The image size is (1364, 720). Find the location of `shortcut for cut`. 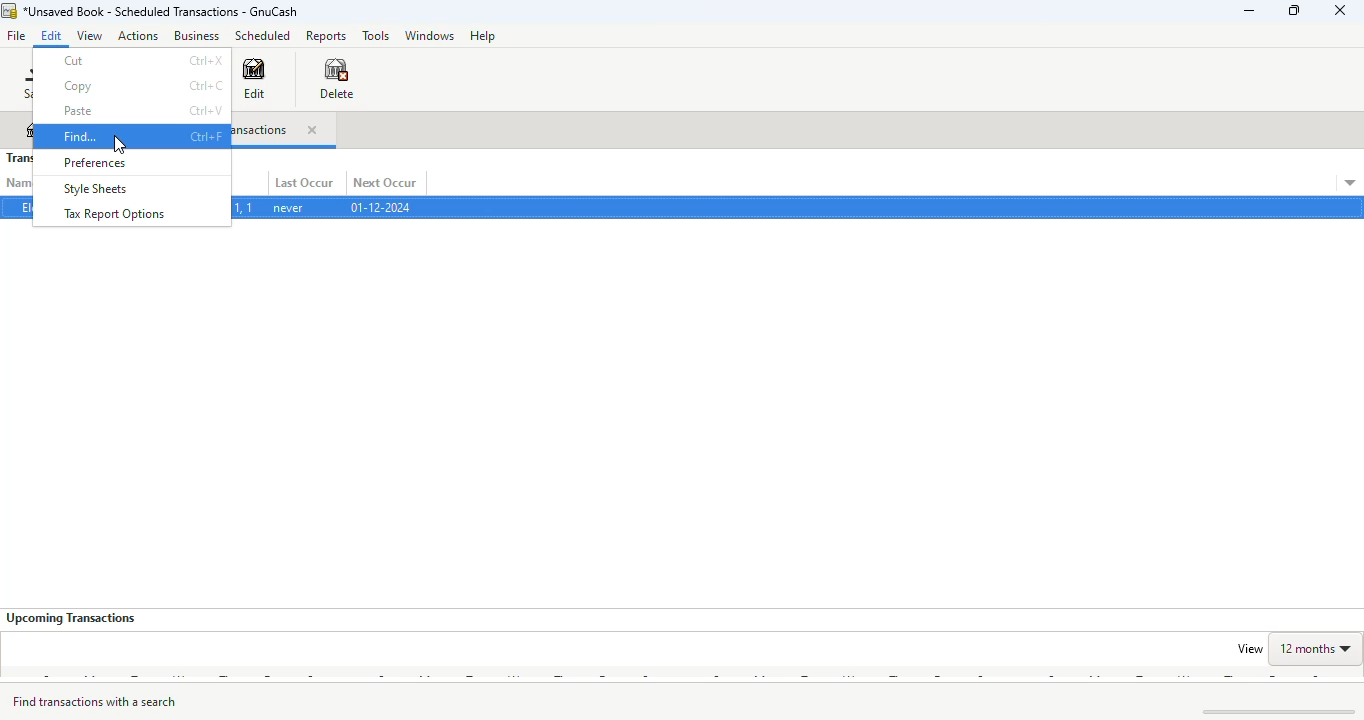

shortcut for cut is located at coordinates (205, 61).